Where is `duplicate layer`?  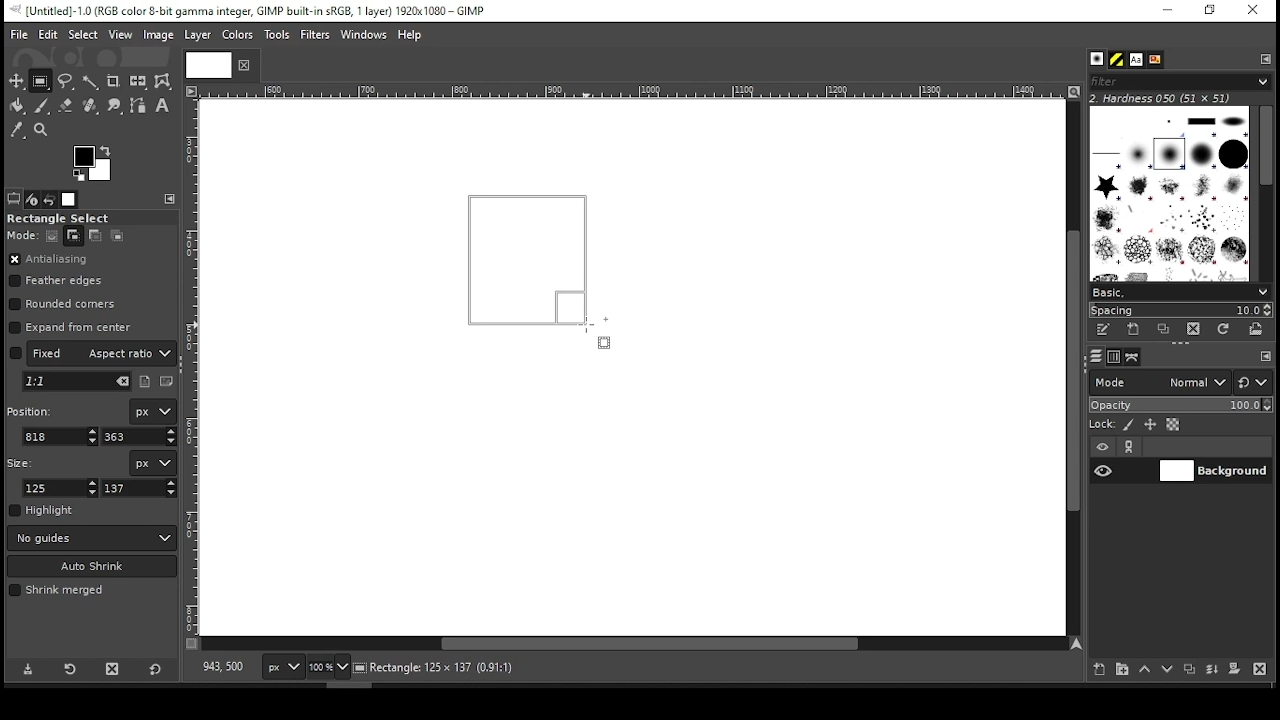
duplicate layer is located at coordinates (1192, 671).